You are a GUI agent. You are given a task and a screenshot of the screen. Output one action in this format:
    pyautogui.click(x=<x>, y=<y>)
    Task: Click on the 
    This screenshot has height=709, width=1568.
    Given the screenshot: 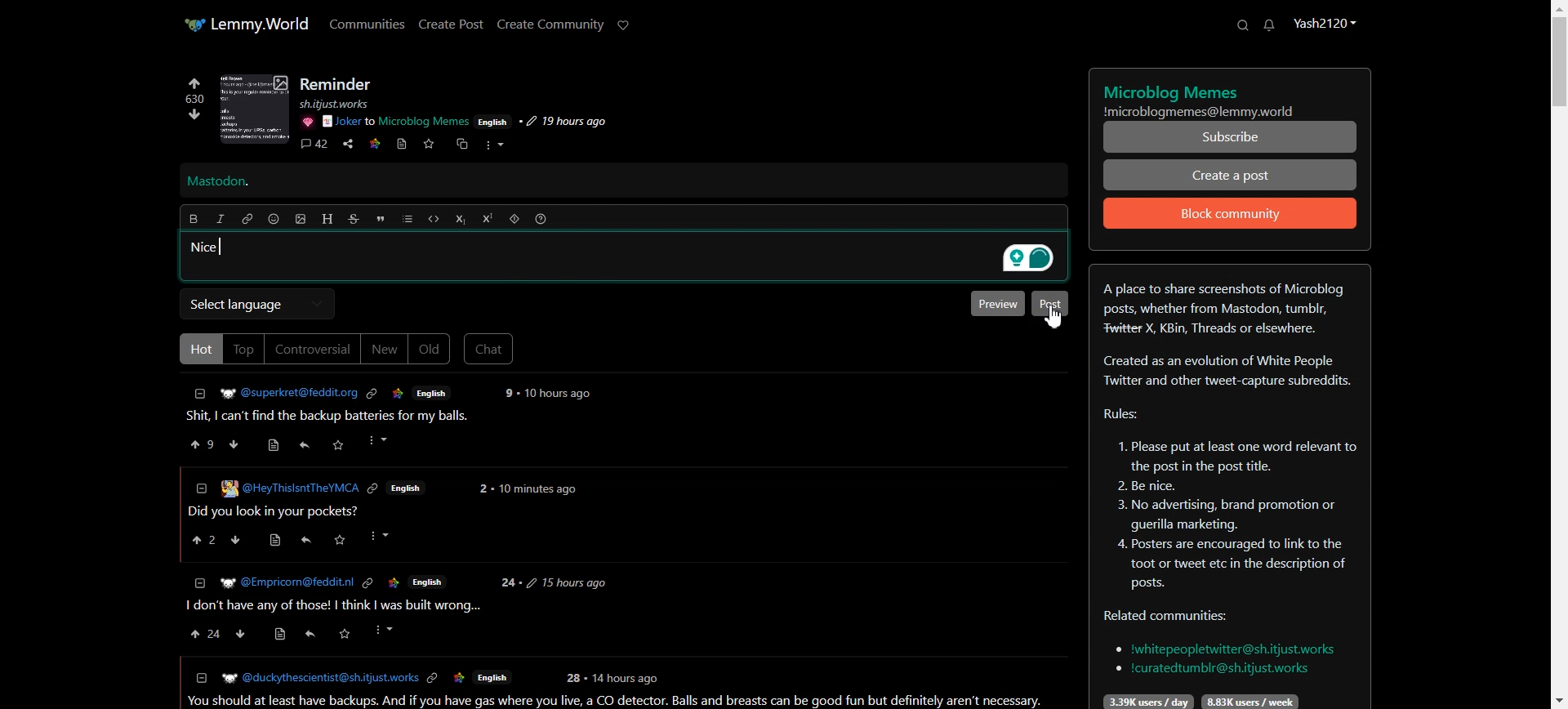 What is the action you would take?
    pyautogui.click(x=374, y=490)
    